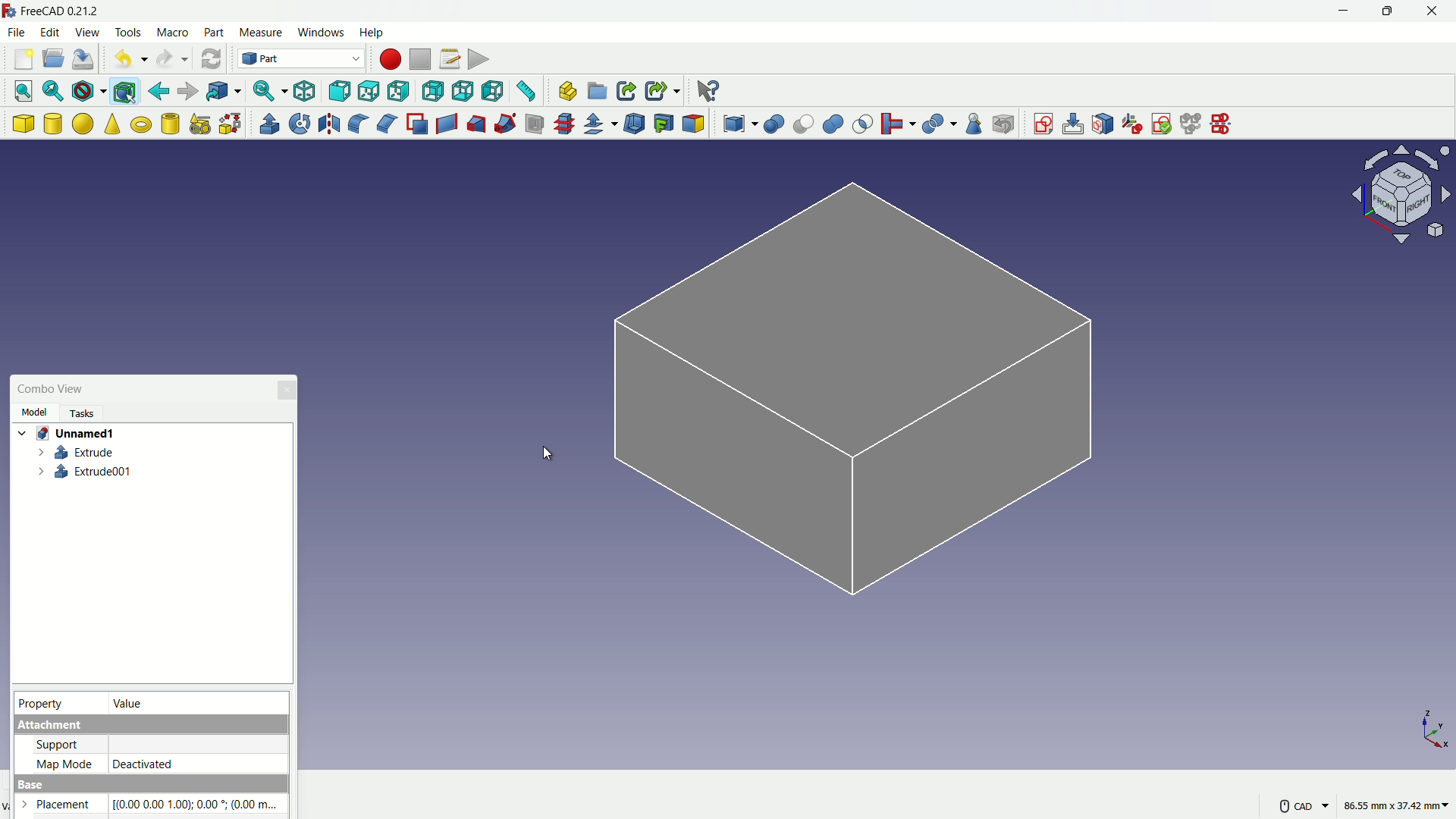 The image size is (1456, 819). I want to click on join object, so click(897, 123).